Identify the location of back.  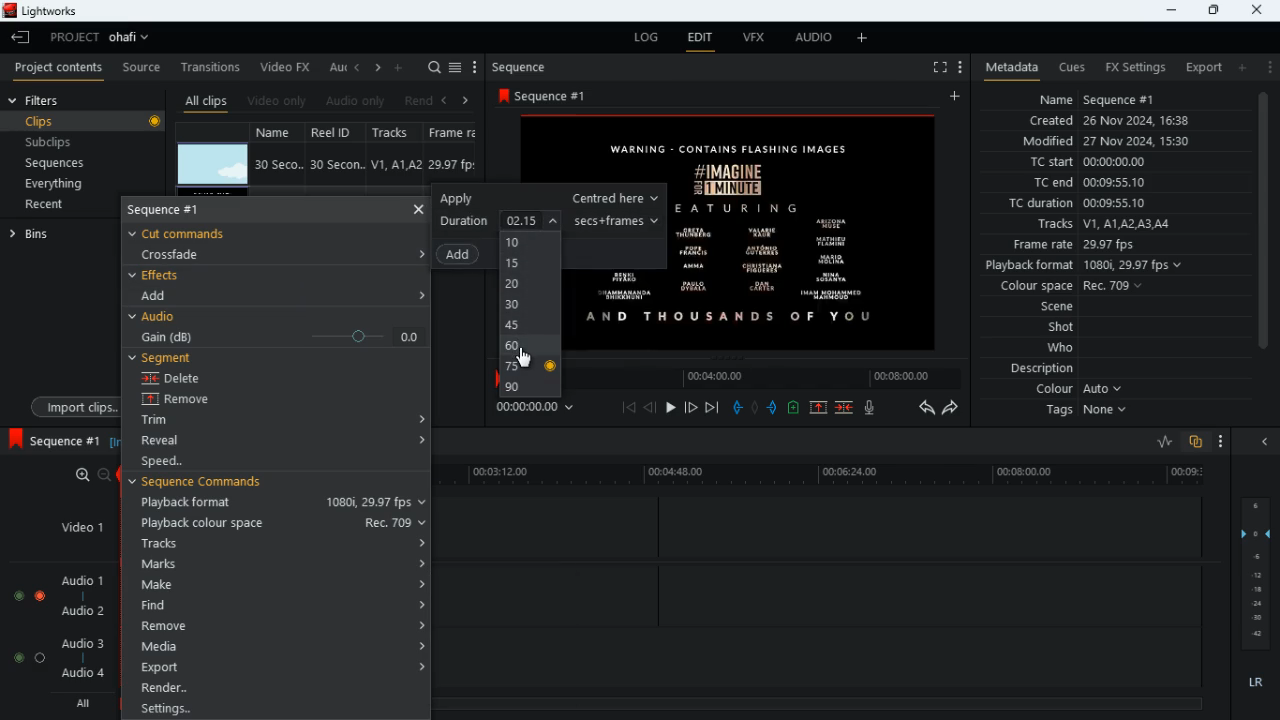
(443, 101).